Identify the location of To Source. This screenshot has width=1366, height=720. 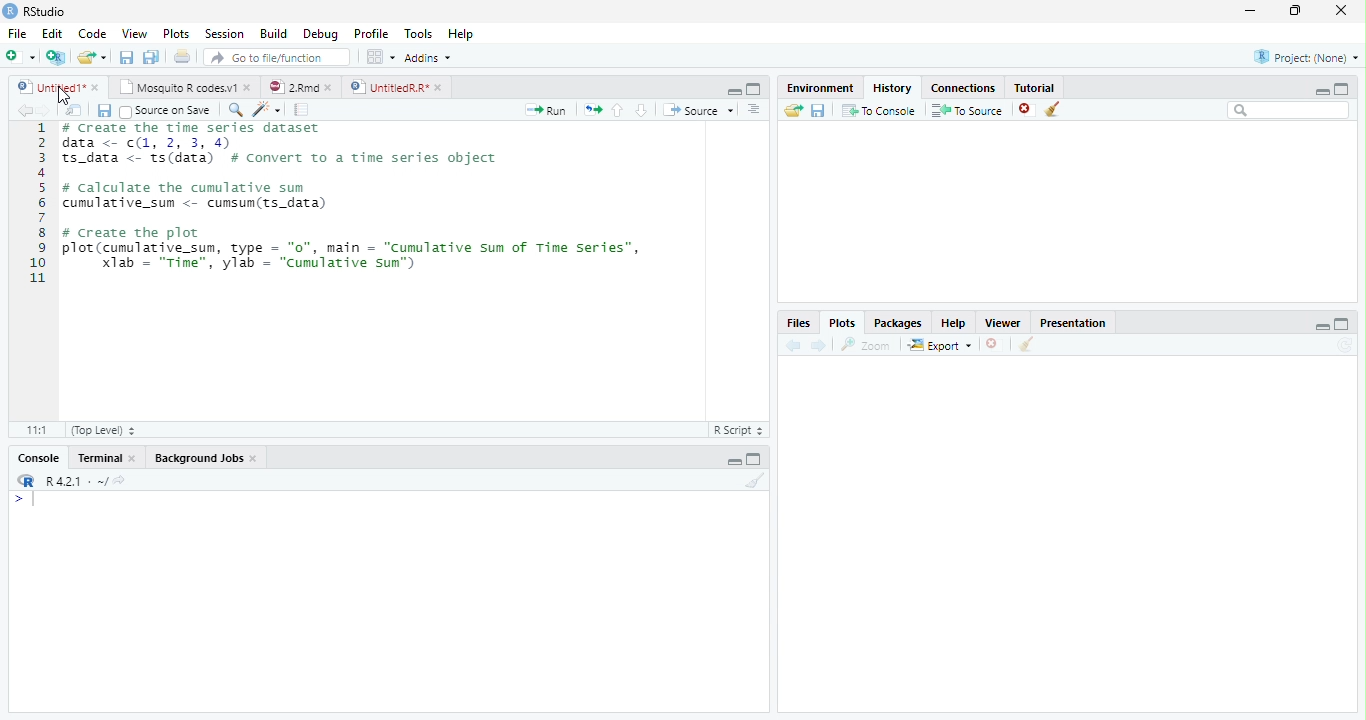
(966, 111).